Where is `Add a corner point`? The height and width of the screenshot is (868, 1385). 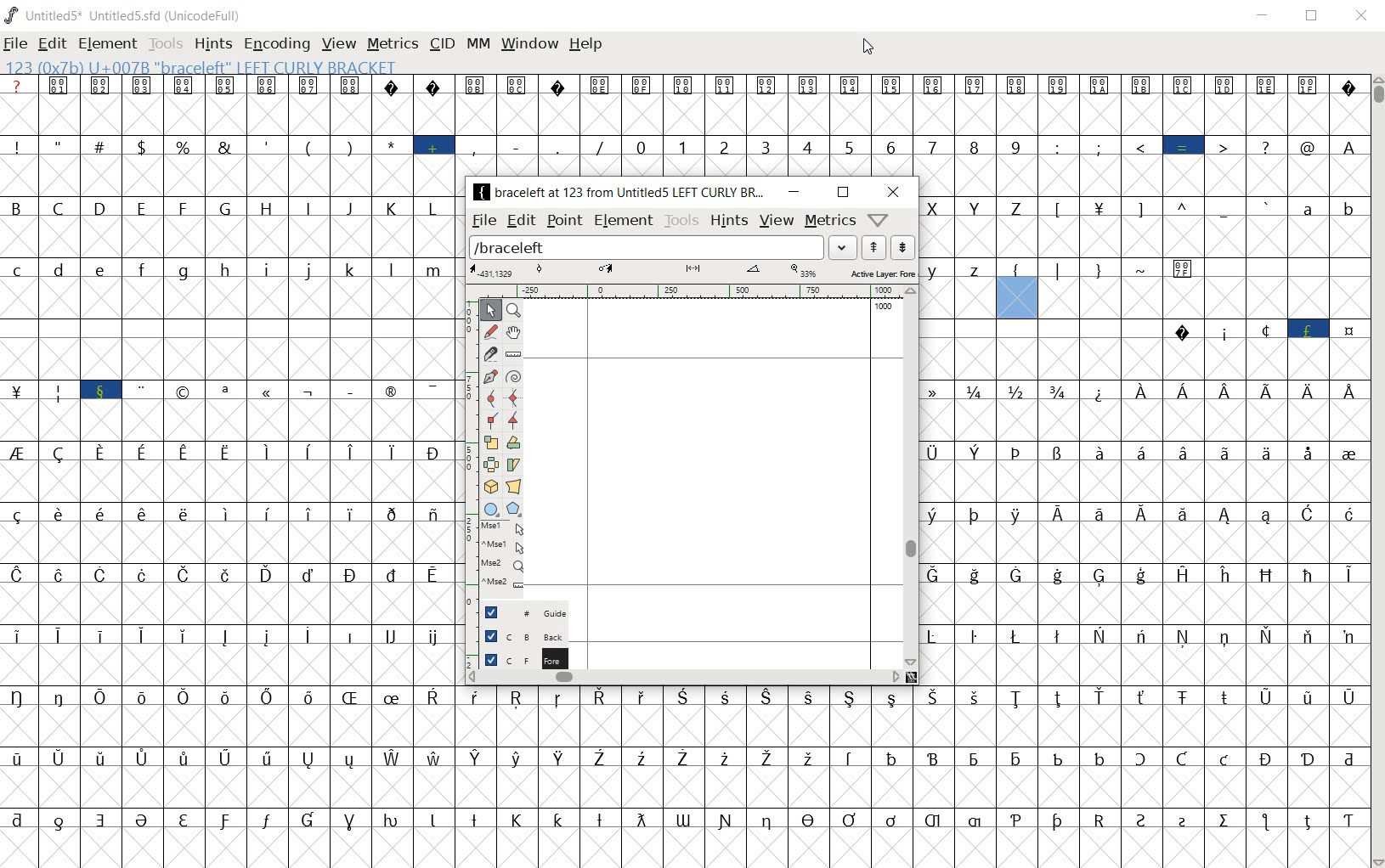 Add a corner point is located at coordinates (490, 420).